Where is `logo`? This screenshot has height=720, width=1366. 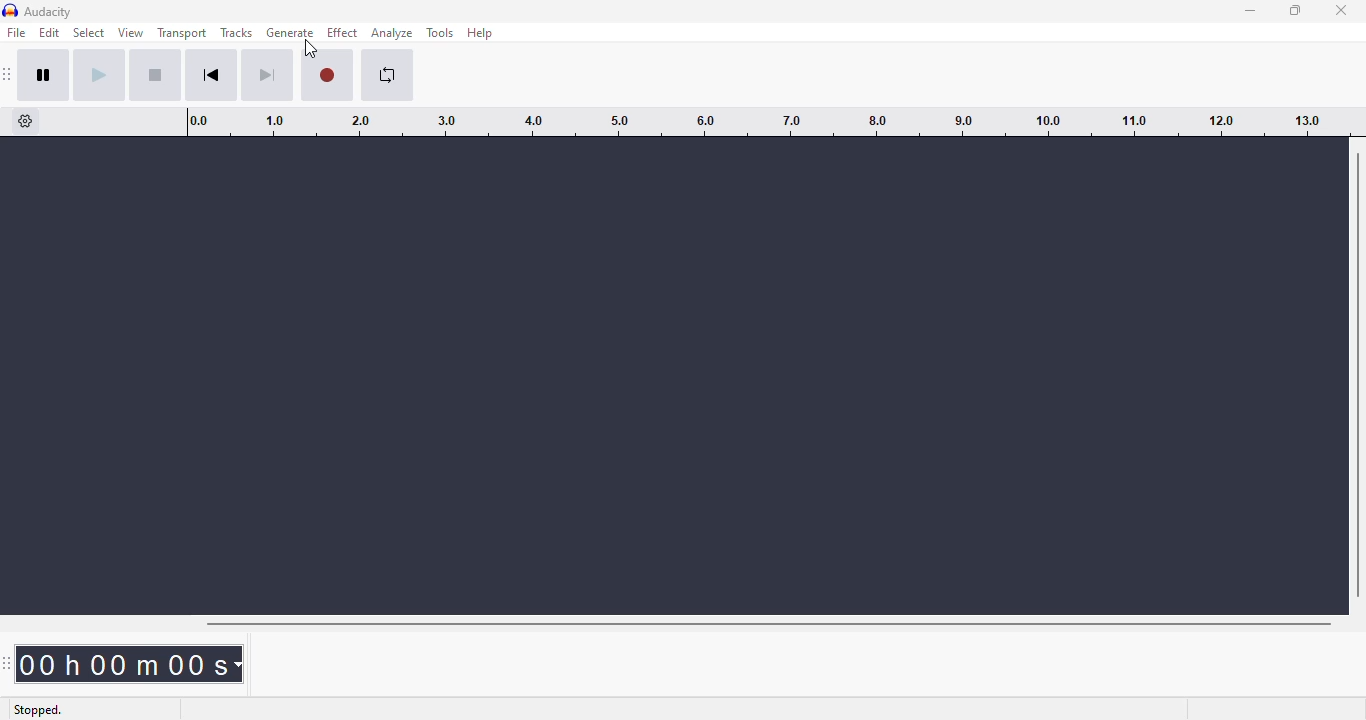
logo is located at coordinates (10, 10).